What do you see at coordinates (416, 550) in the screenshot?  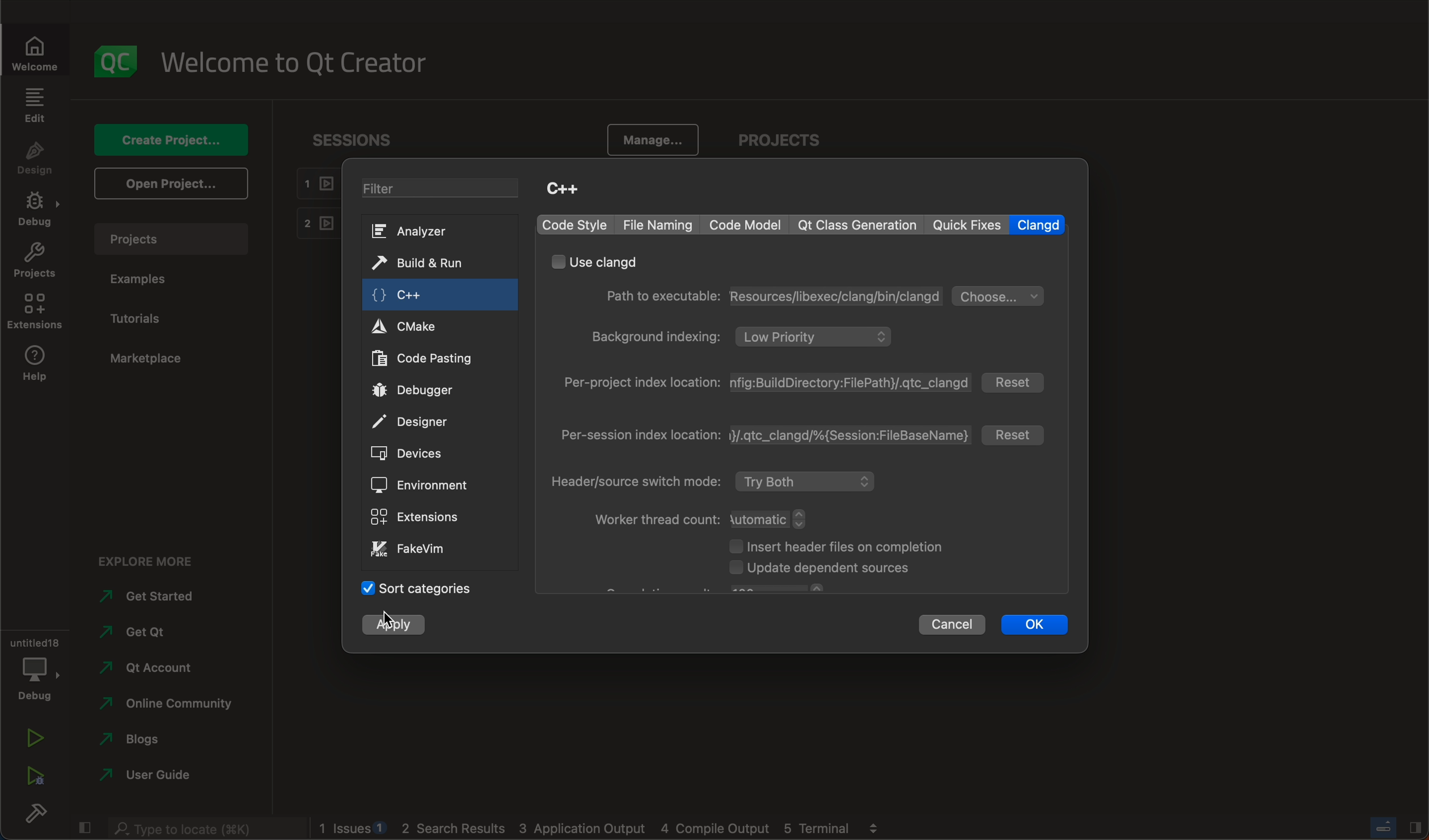 I see `cmake` at bounding box center [416, 550].